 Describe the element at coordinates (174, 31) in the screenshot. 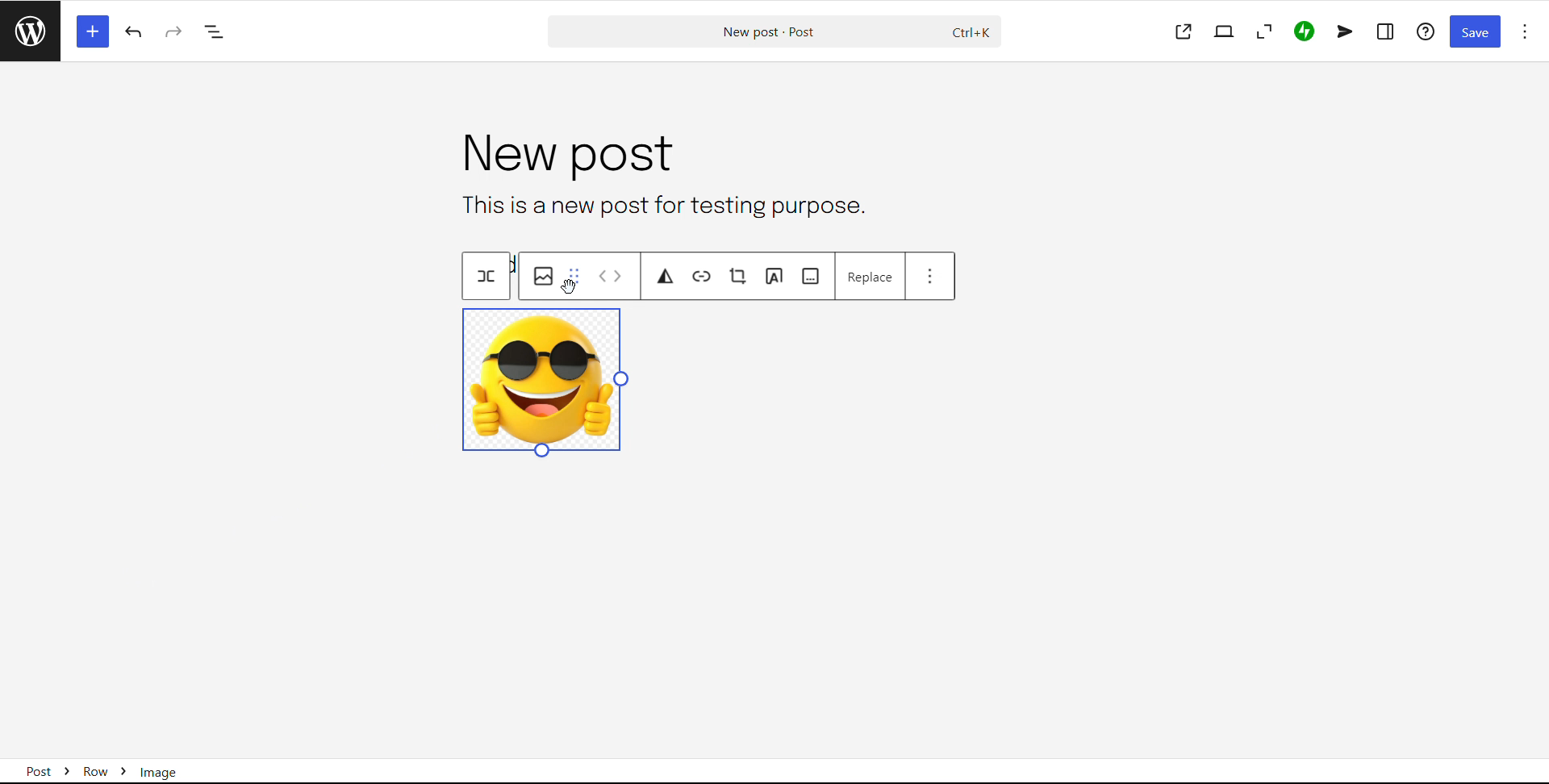

I see `redo` at that location.